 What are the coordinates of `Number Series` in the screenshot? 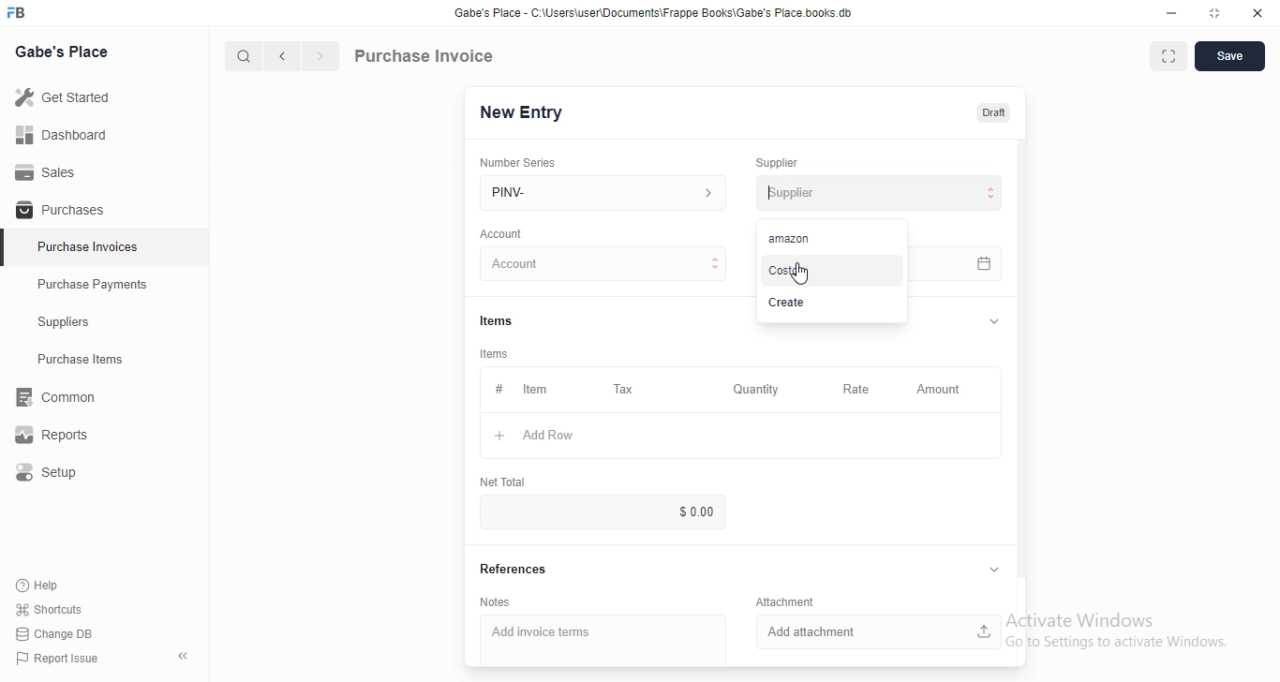 It's located at (518, 163).